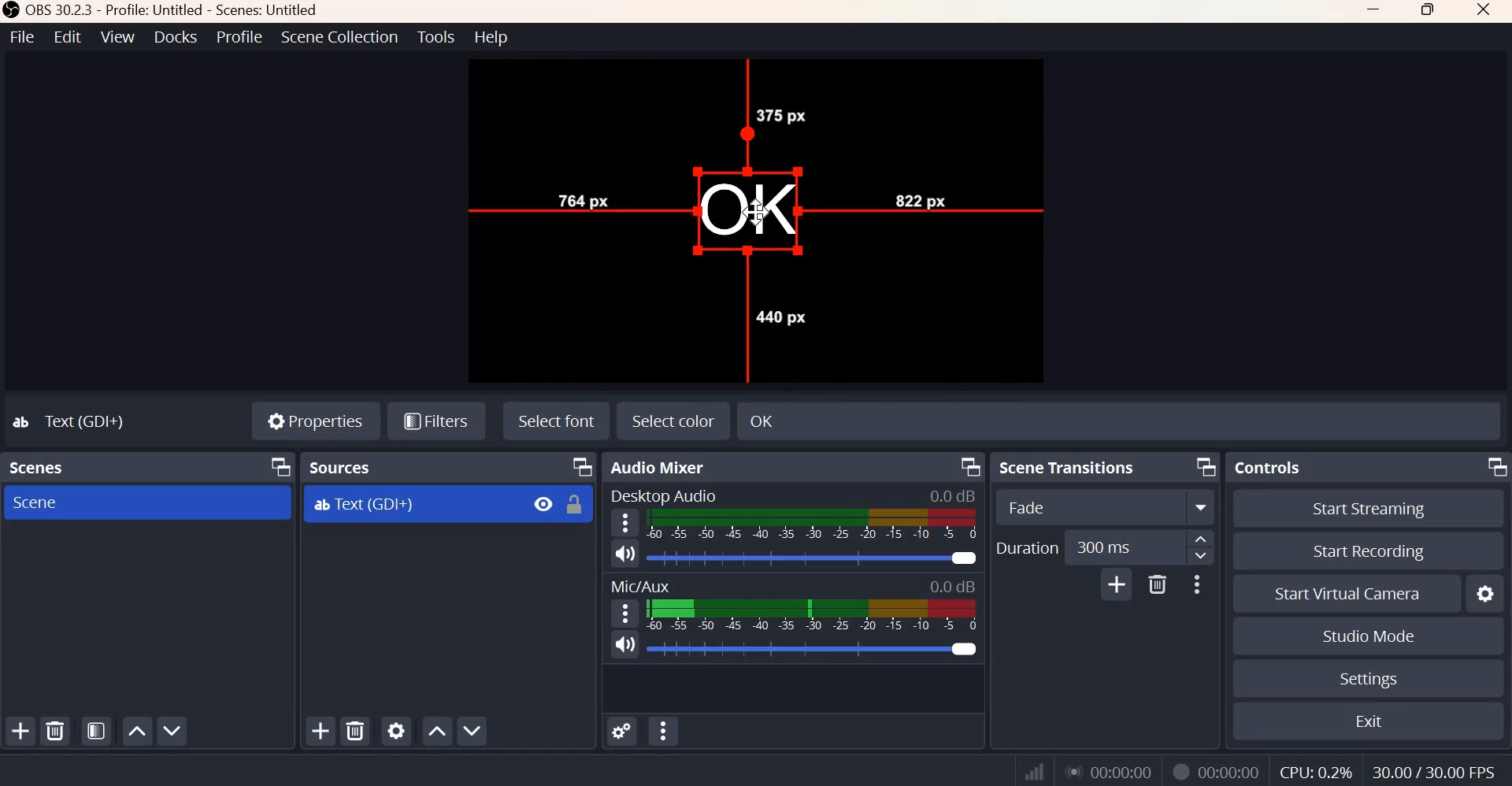 This screenshot has width=1512, height=786. I want to click on Studio mode, so click(1369, 636).